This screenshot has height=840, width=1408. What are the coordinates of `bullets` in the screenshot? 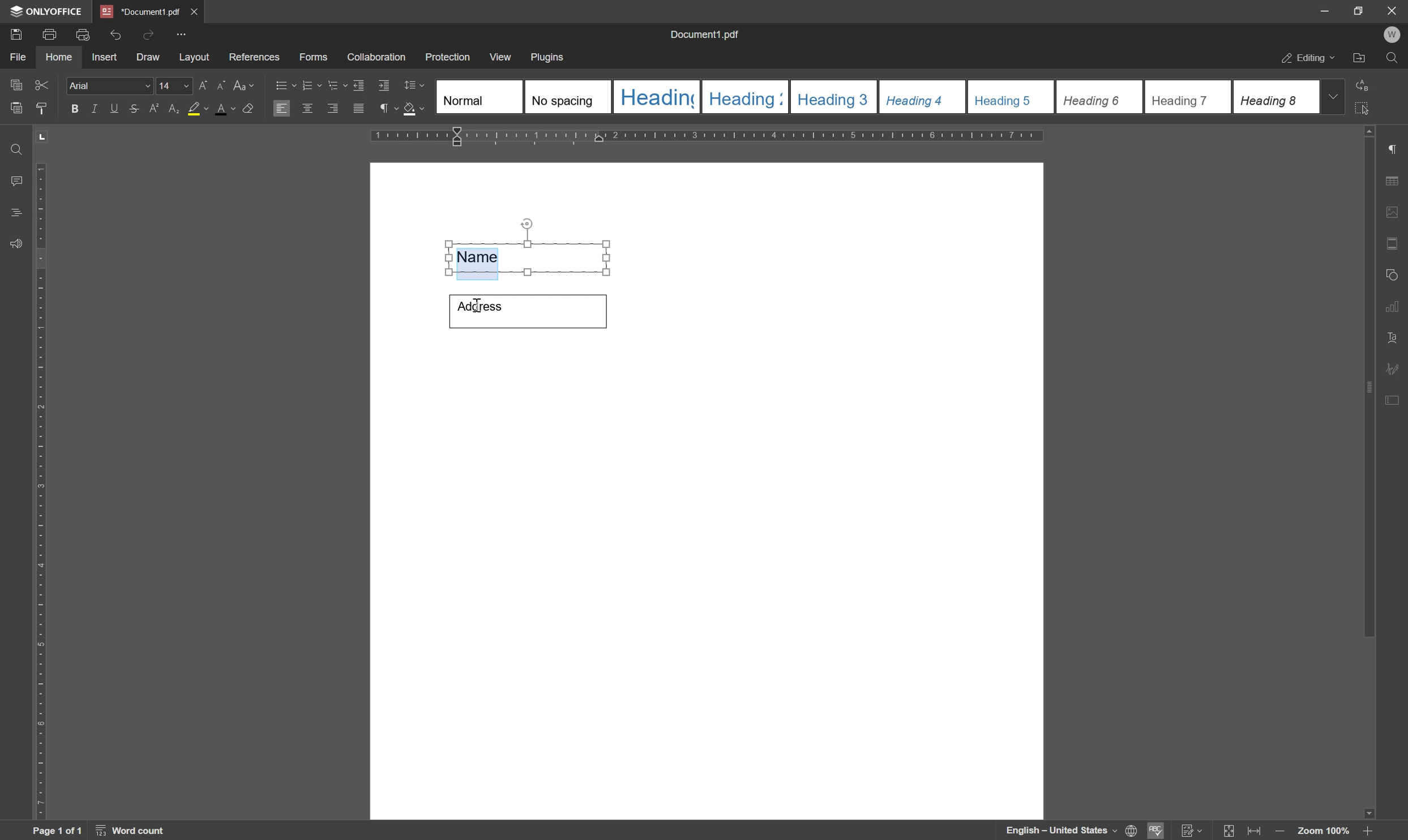 It's located at (284, 84).